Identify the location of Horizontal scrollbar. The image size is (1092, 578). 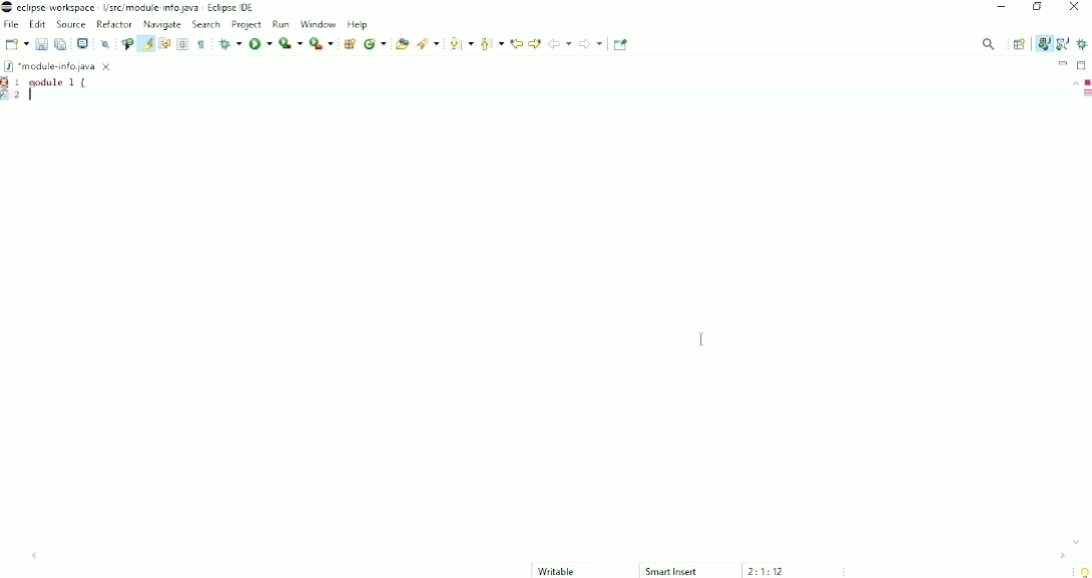
(551, 555).